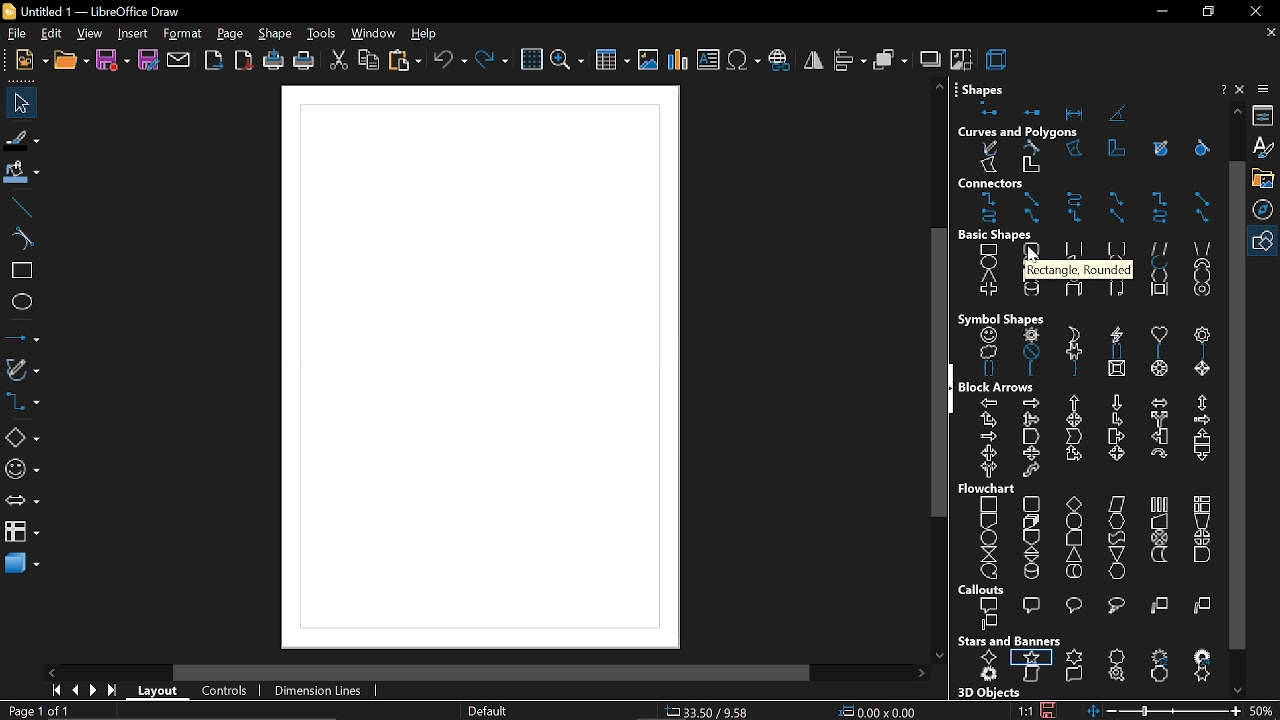 This screenshot has height=720, width=1280. Describe the element at coordinates (322, 35) in the screenshot. I see `tools` at that location.